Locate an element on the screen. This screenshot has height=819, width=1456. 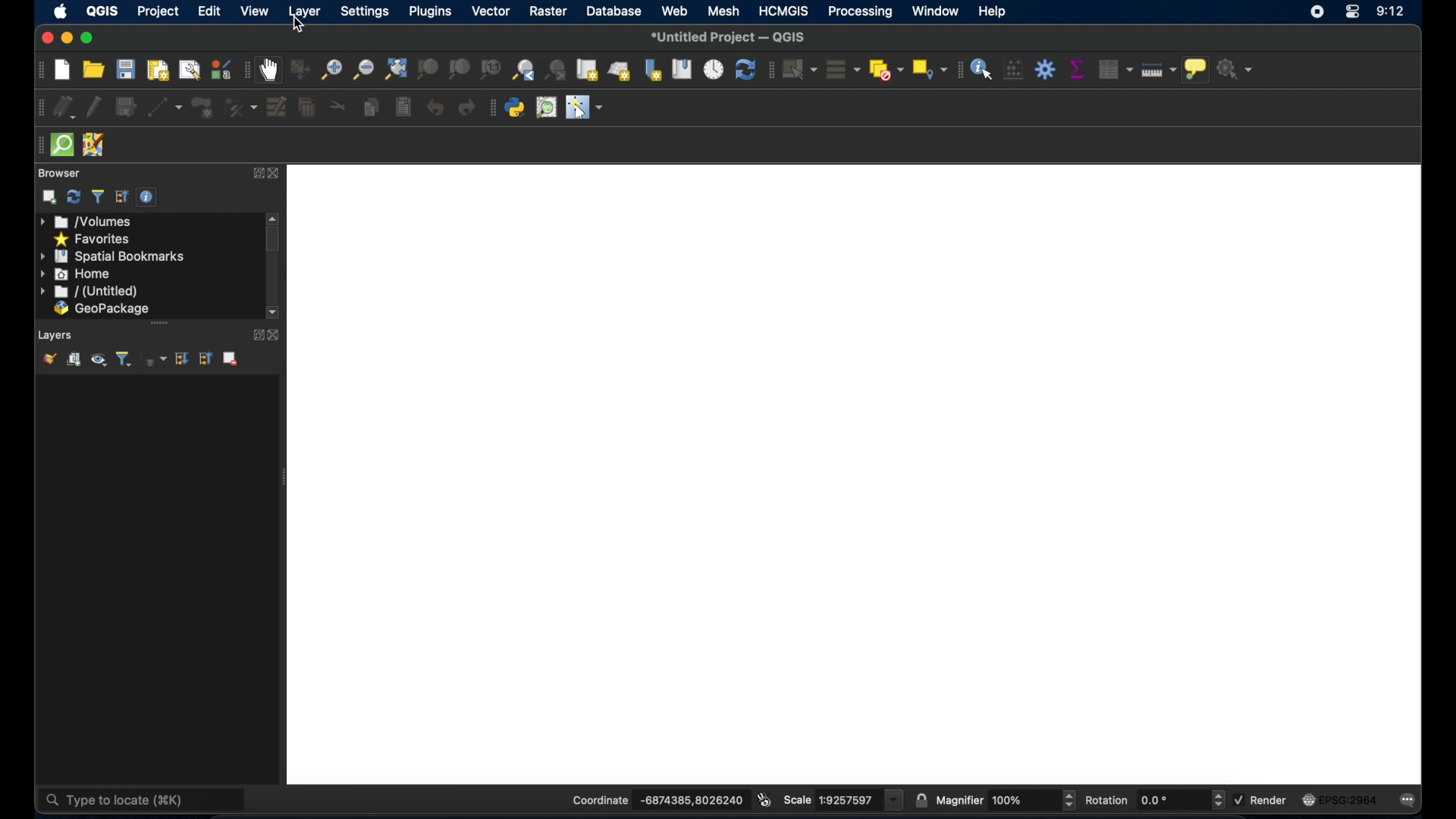
map navigation toolbar is located at coordinates (245, 72).